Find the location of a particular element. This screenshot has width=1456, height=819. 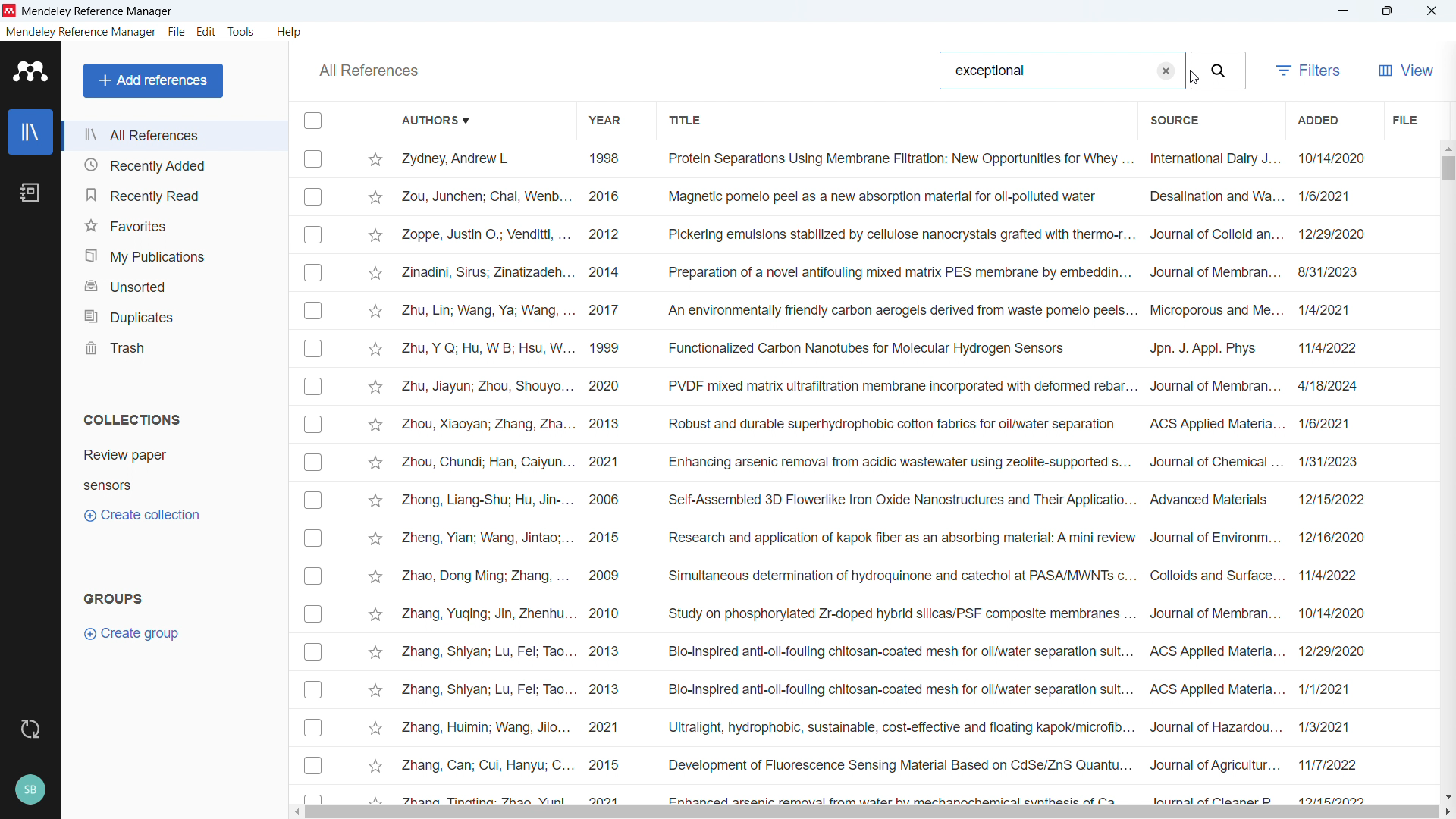

Select all  is located at coordinates (314, 120).